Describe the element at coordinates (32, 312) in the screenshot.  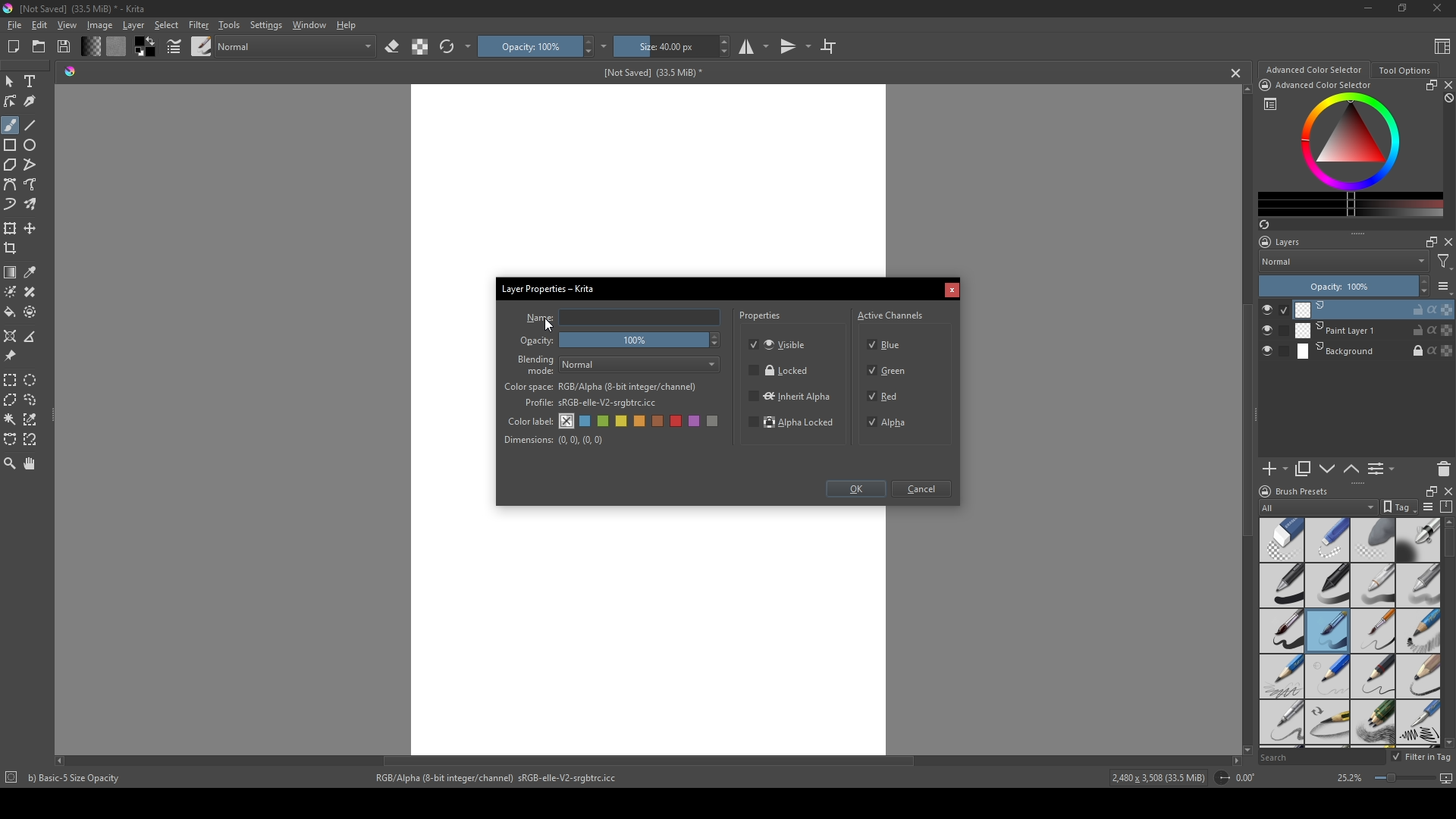
I see `enclose and fill` at that location.